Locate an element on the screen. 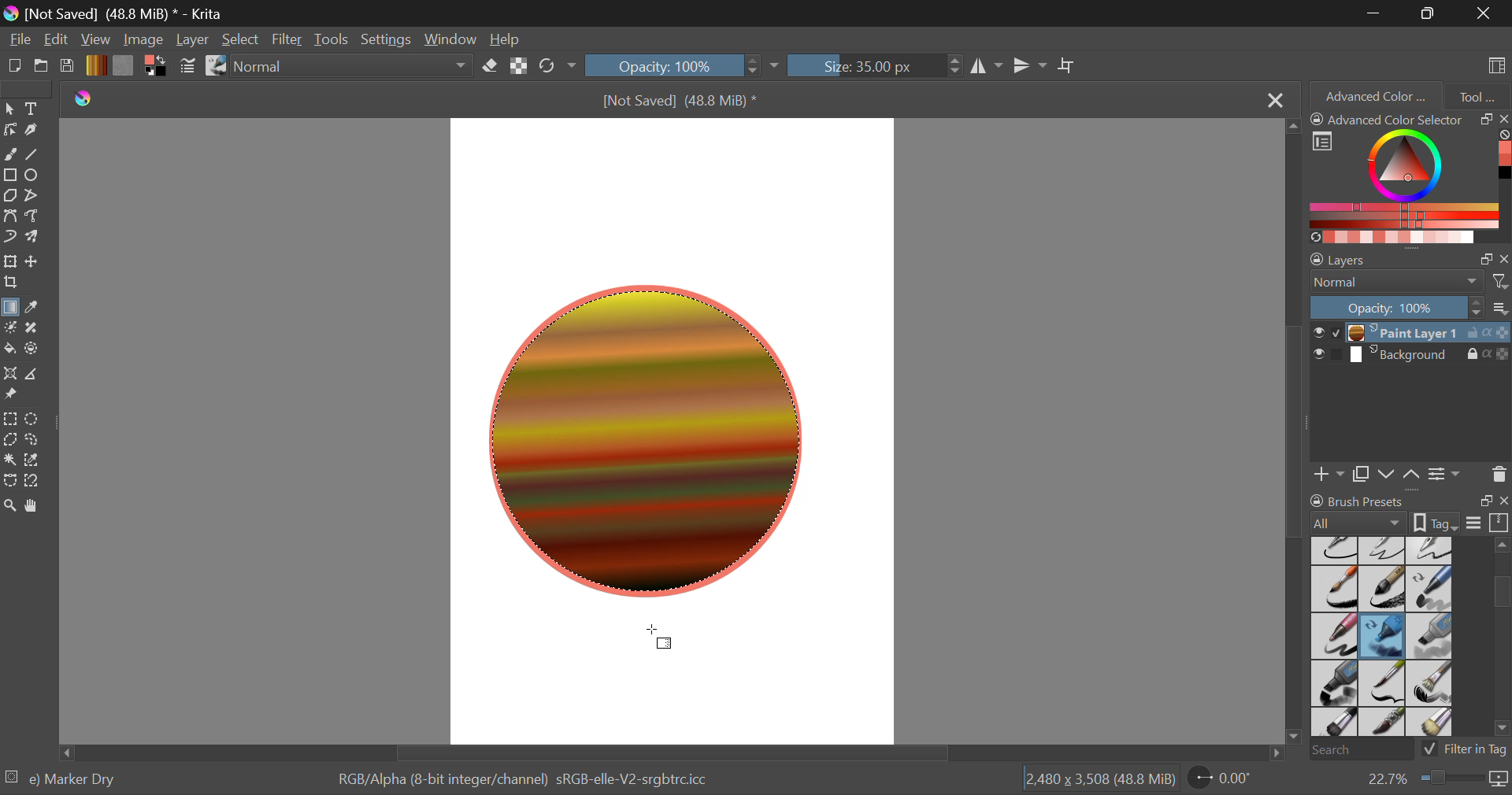 The width and height of the screenshot is (1512, 795). Bristles-4 Glaze is located at coordinates (1384, 723).